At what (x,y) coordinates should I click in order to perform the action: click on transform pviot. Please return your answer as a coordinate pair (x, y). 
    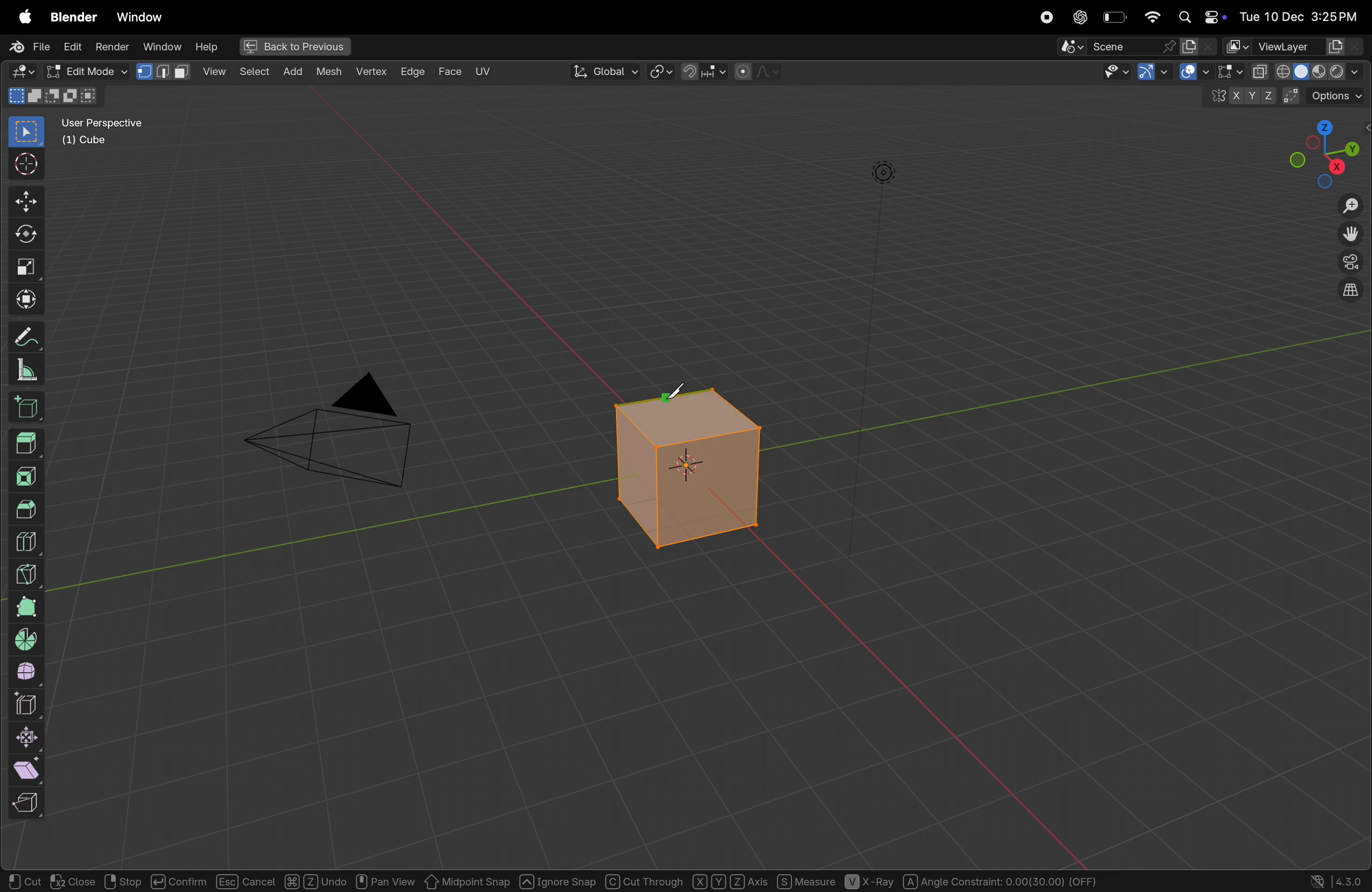
    Looking at the image, I should click on (661, 73).